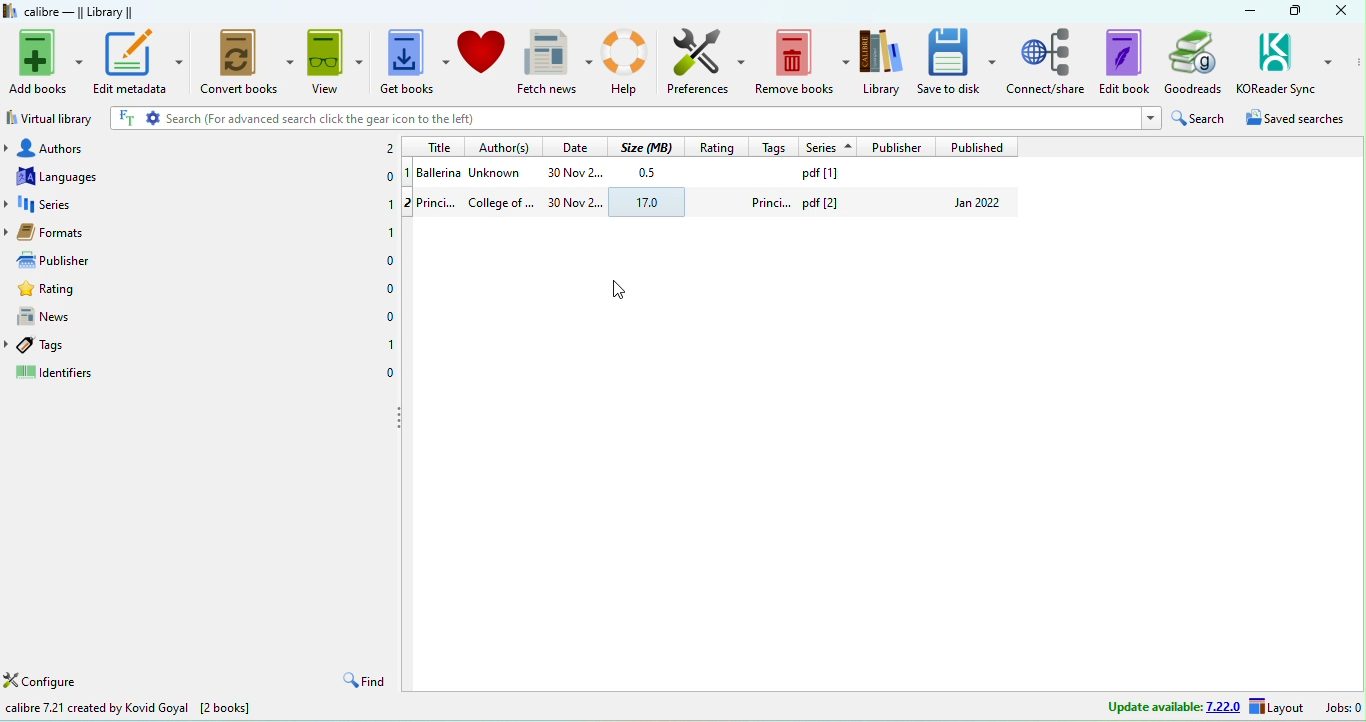 This screenshot has height=722, width=1366. What do you see at coordinates (1124, 61) in the screenshot?
I see `Edit book` at bounding box center [1124, 61].